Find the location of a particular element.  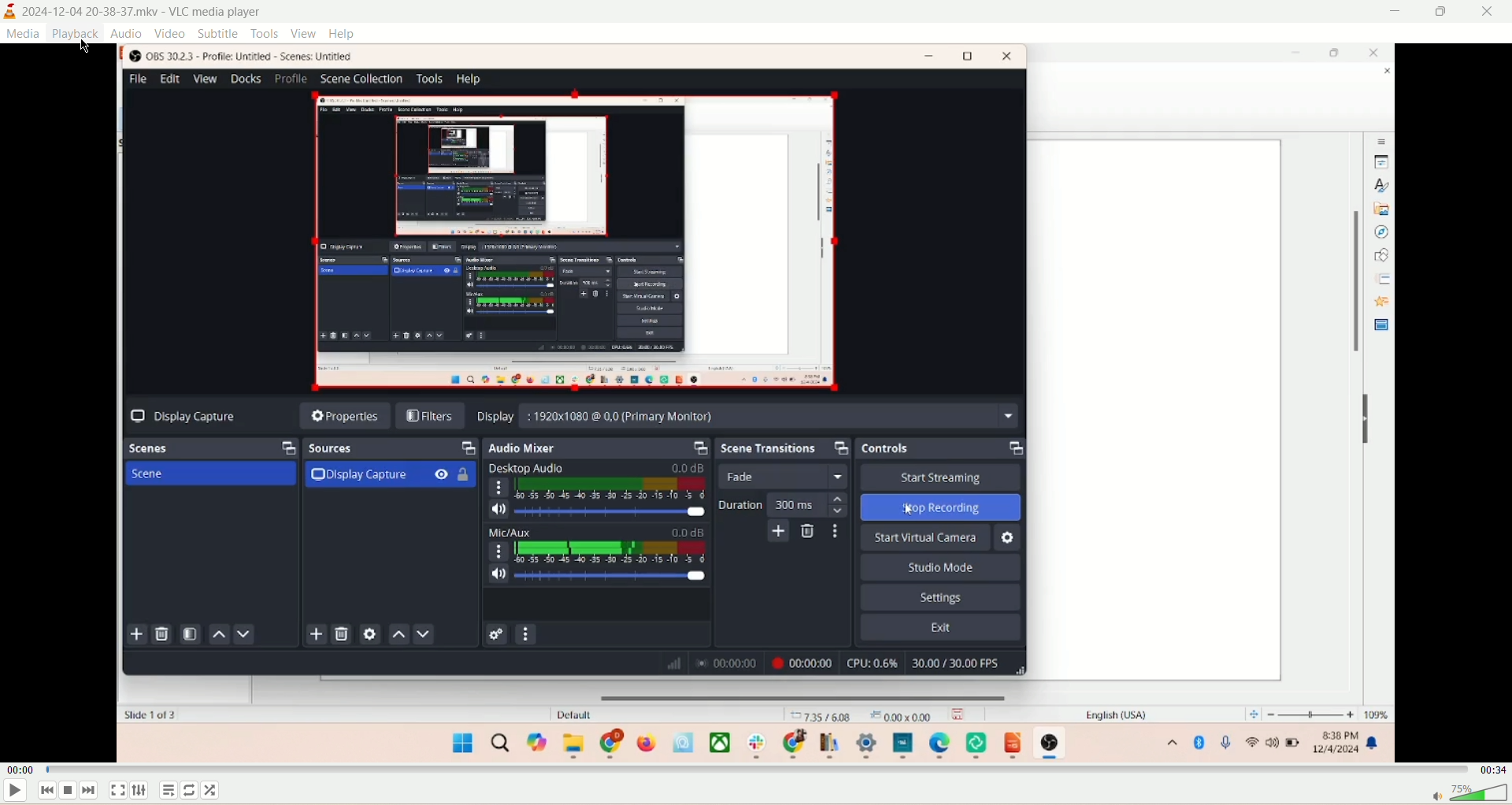

video is located at coordinates (170, 34).